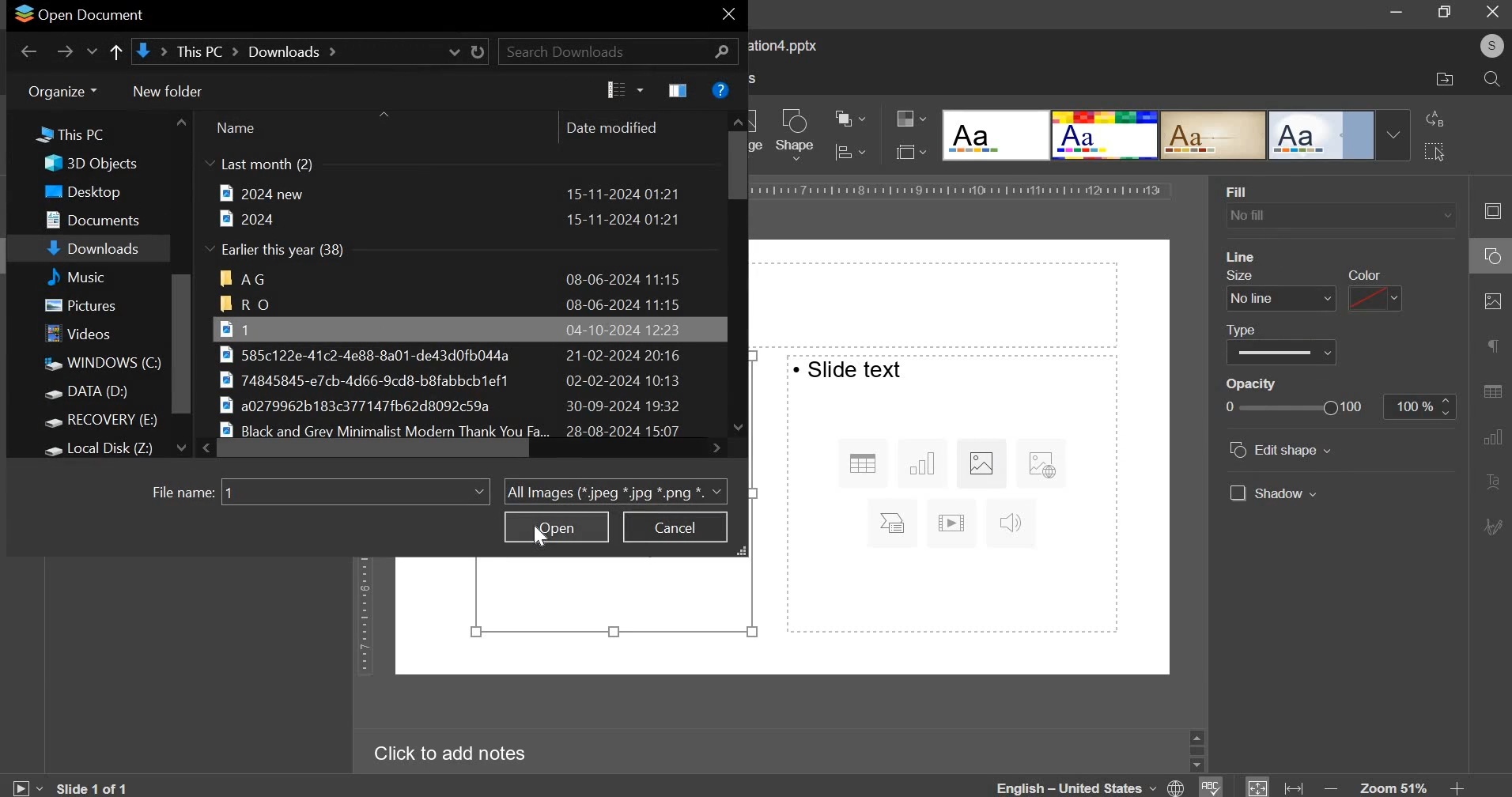 The image size is (1512, 797). What do you see at coordinates (1491, 483) in the screenshot?
I see `text art` at bounding box center [1491, 483].